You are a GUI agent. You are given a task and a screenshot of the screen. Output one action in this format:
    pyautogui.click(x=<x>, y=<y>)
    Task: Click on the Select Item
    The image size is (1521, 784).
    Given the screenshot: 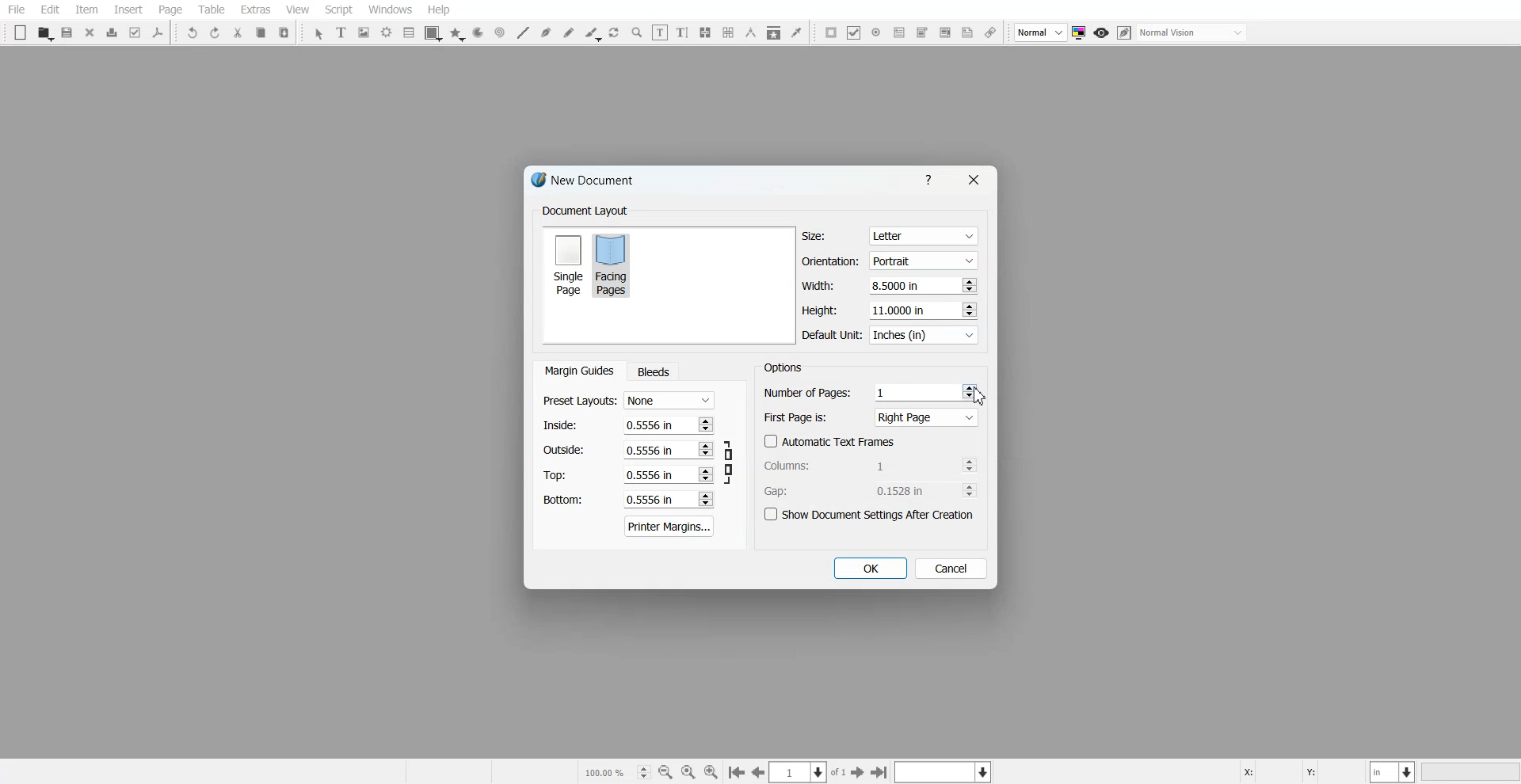 What is the action you would take?
    pyautogui.click(x=318, y=34)
    